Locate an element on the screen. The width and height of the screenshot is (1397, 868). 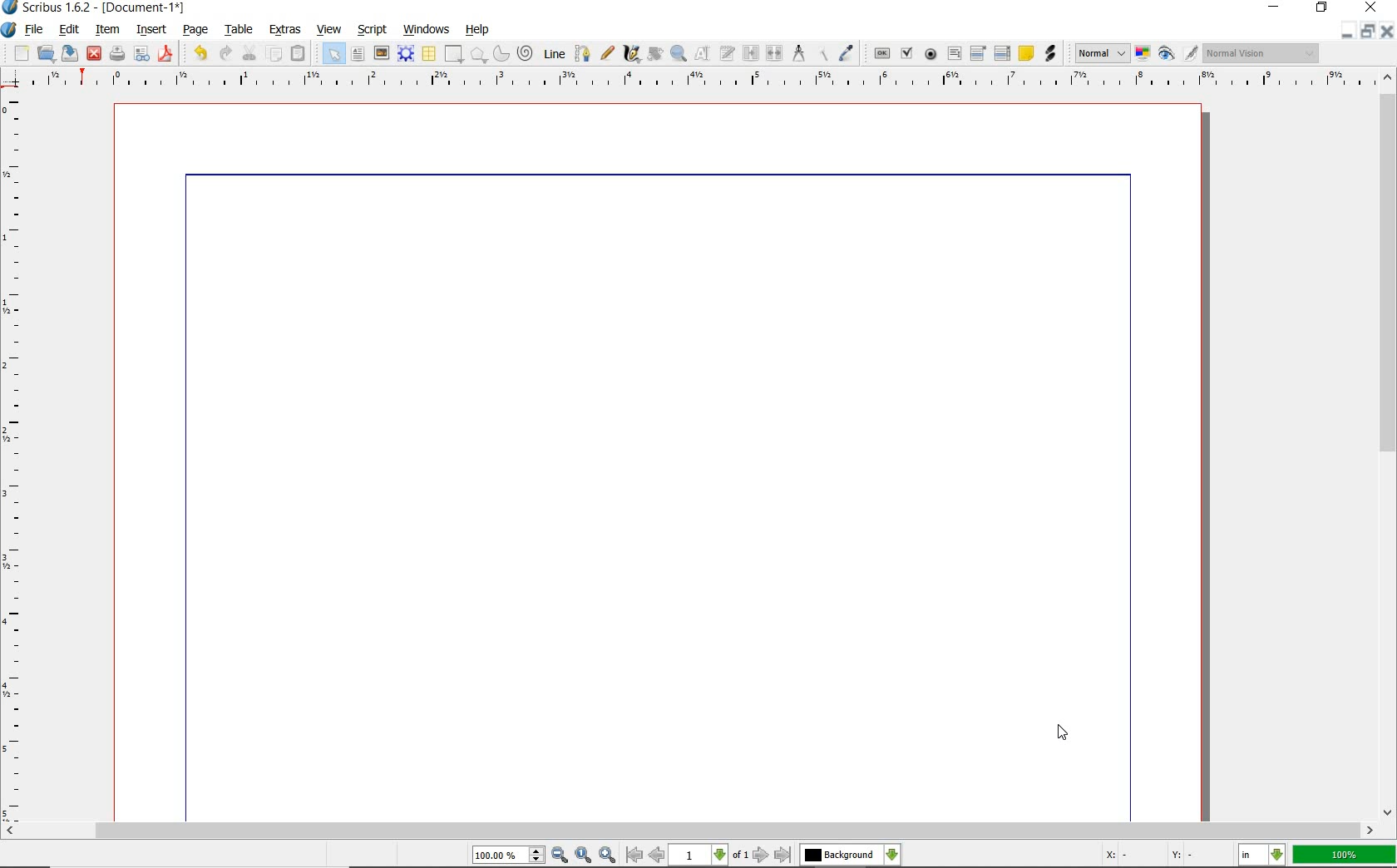
save is located at coordinates (72, 53).